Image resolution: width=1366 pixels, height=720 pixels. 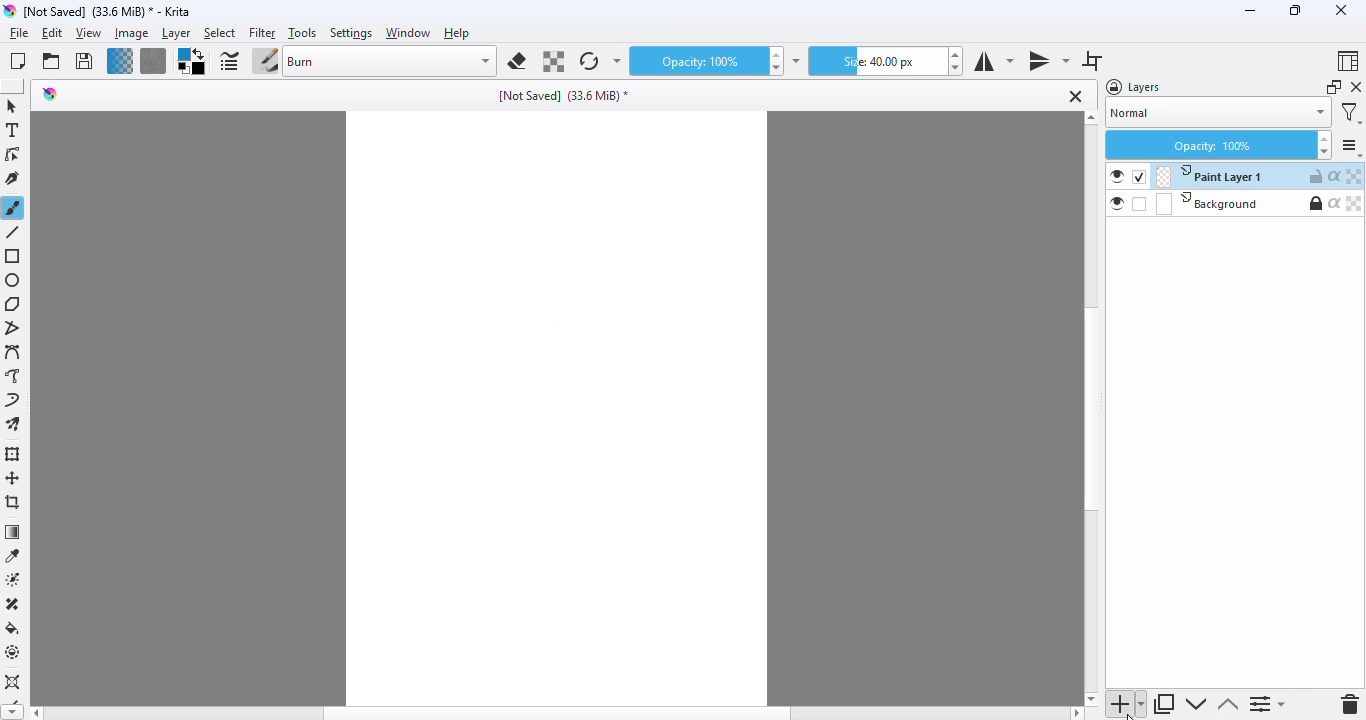 What do you see at coordinates (407, 33) in the screenshot?
I see `window` at bounding box center [407, 33].